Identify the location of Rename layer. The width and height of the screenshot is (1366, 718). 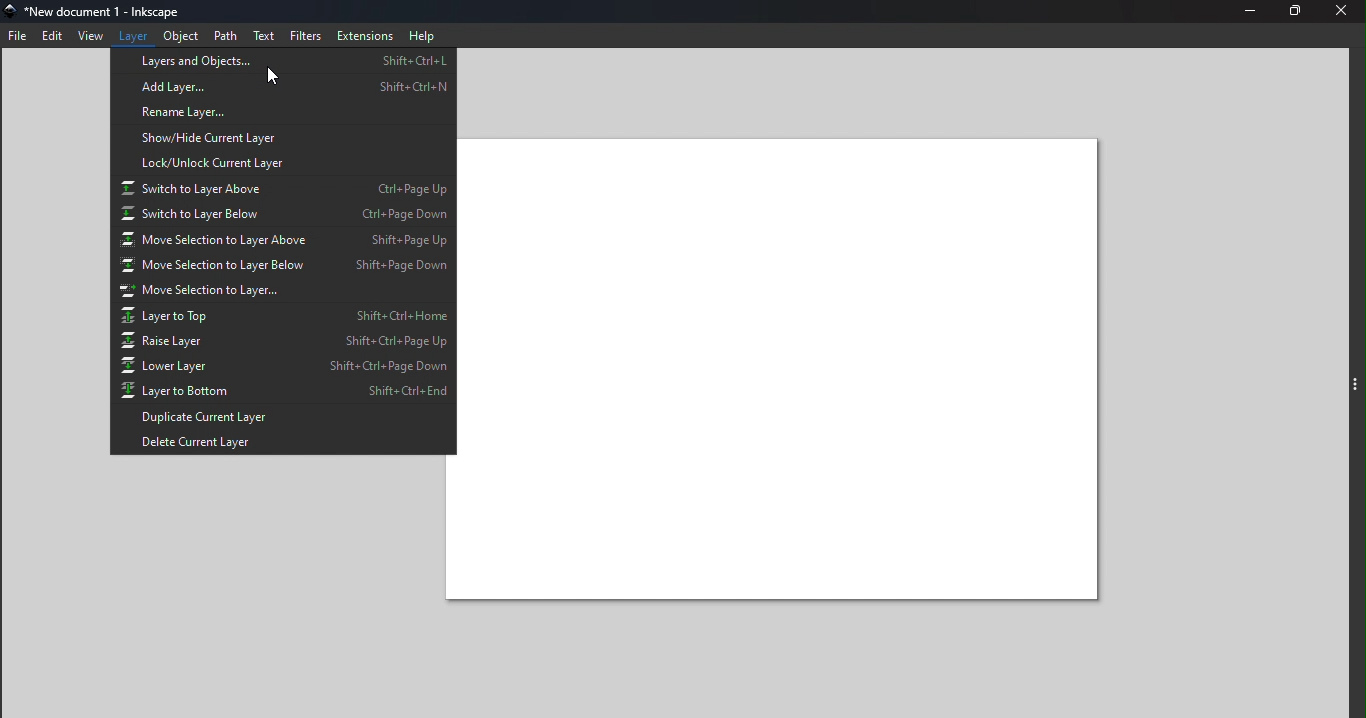
(281, 113).